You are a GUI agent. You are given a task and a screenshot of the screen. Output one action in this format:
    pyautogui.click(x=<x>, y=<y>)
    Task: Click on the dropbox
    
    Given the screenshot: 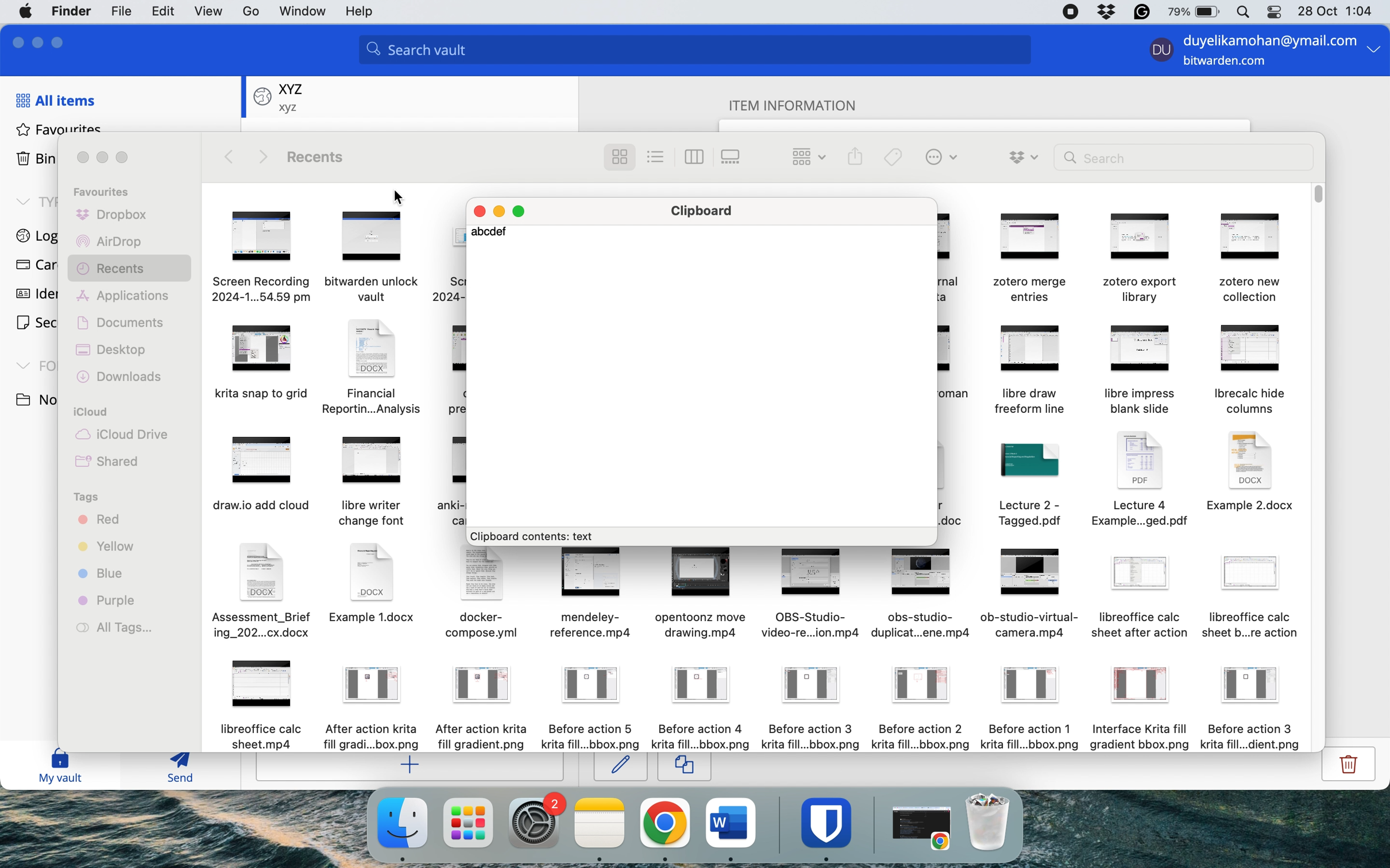 What is the action you would take?
    pyautogui.click(x=112, y=217)
    